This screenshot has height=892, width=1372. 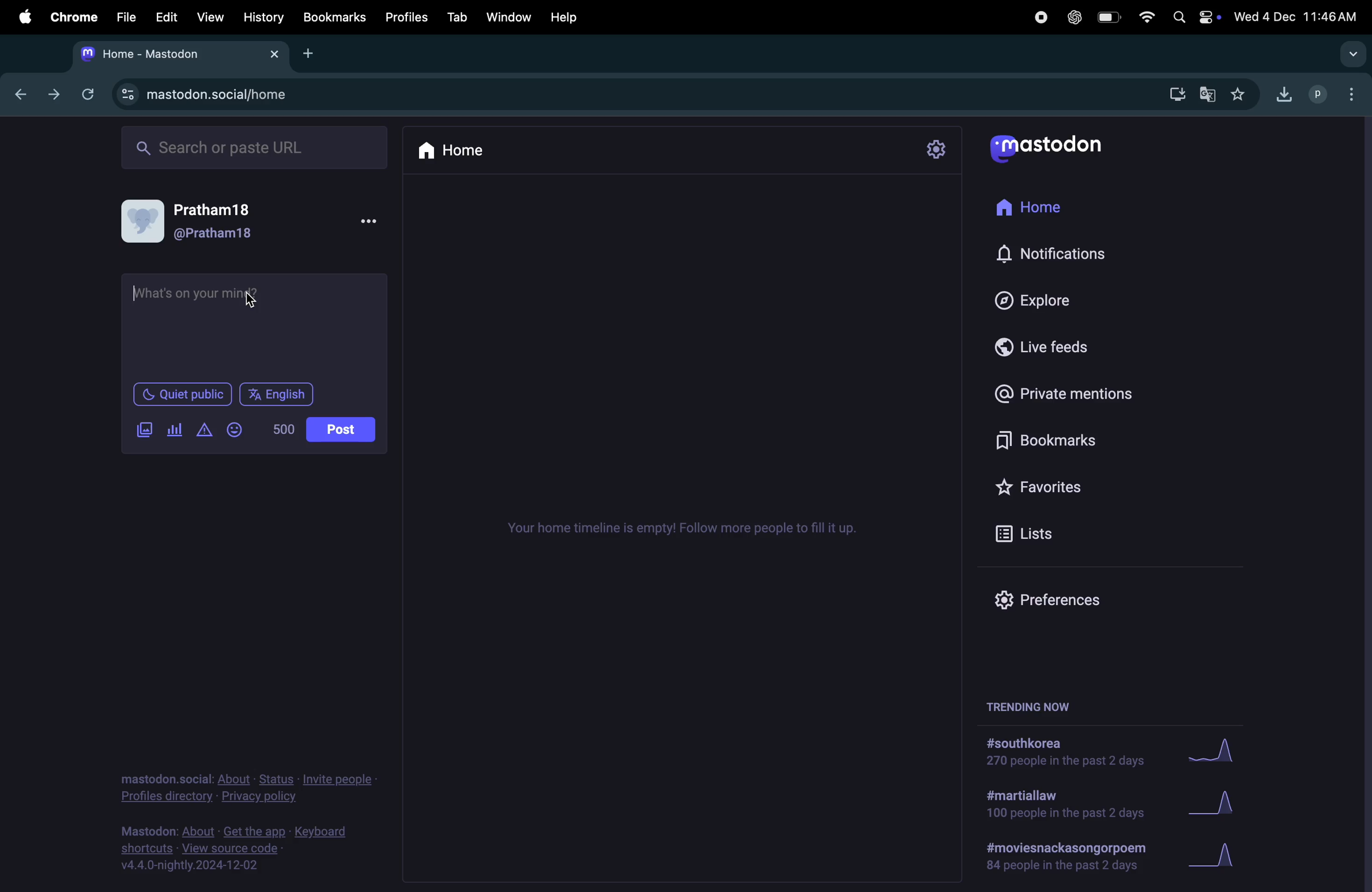 I want to click on # movies and poem, so click(x=1064, y=860).